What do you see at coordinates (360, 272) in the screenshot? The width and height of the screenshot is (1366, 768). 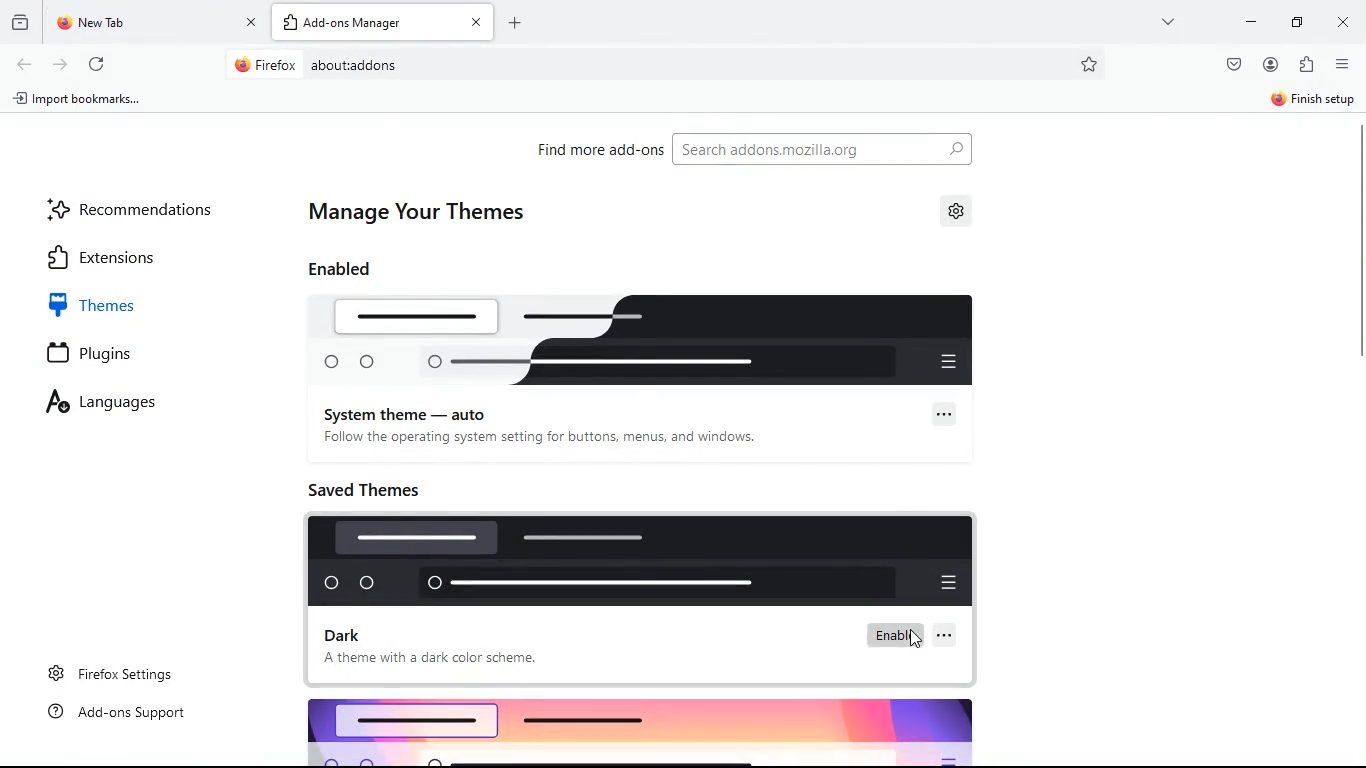 I see `enabled` at bounding box center [360, 272].